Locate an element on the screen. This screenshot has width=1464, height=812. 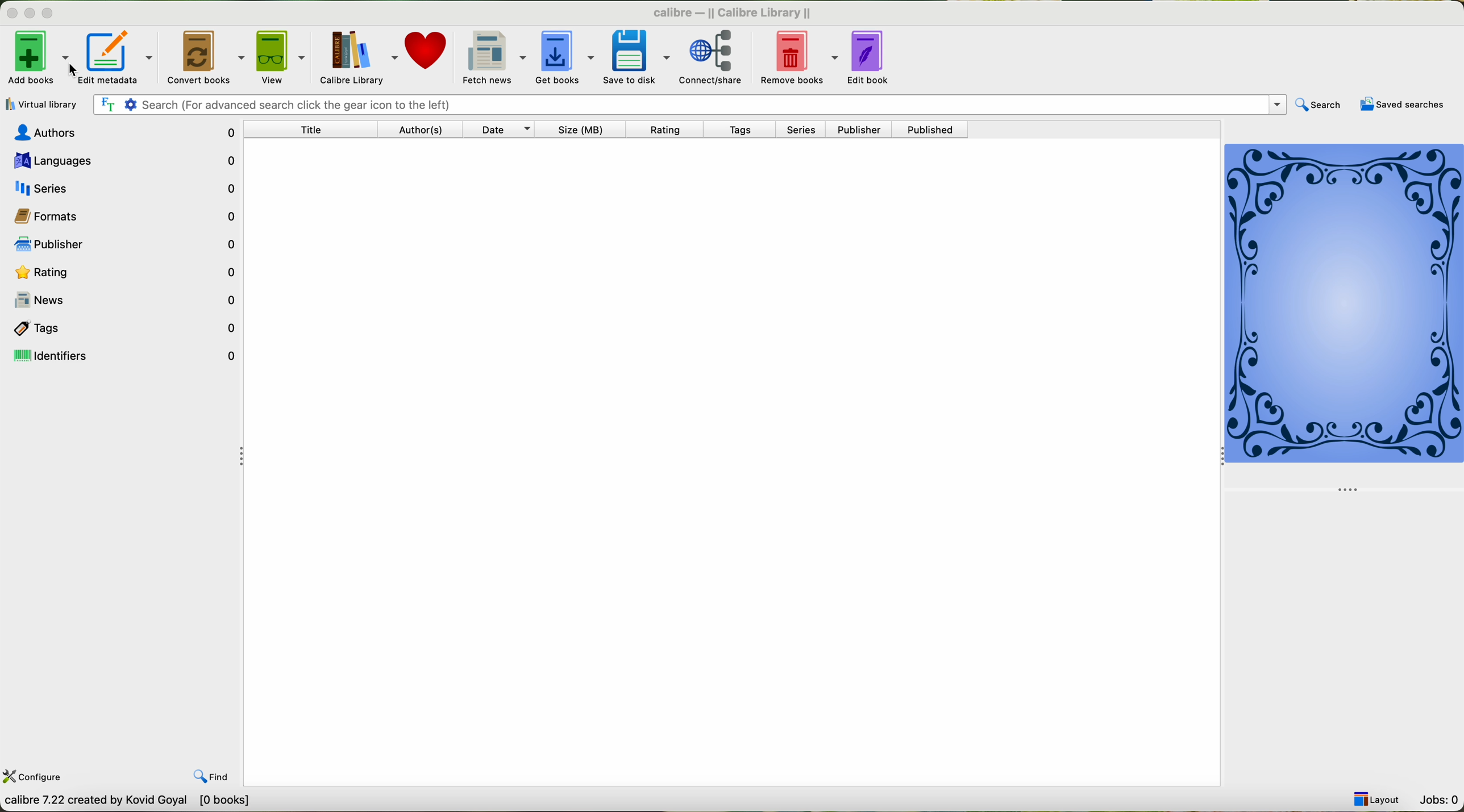
minimize is located at coordinates (27, 14).